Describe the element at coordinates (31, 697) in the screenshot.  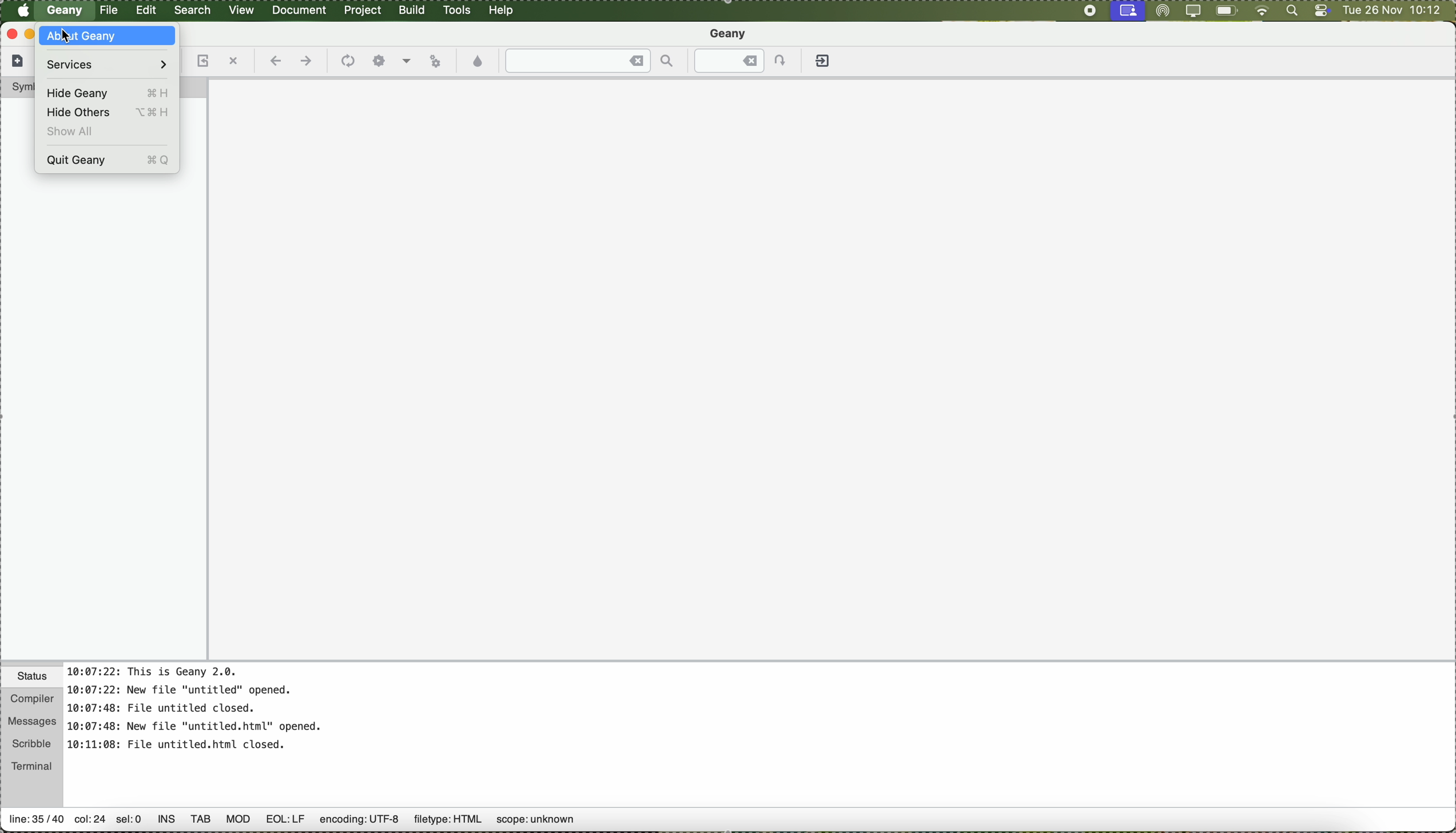
I see `compiler` at that location.